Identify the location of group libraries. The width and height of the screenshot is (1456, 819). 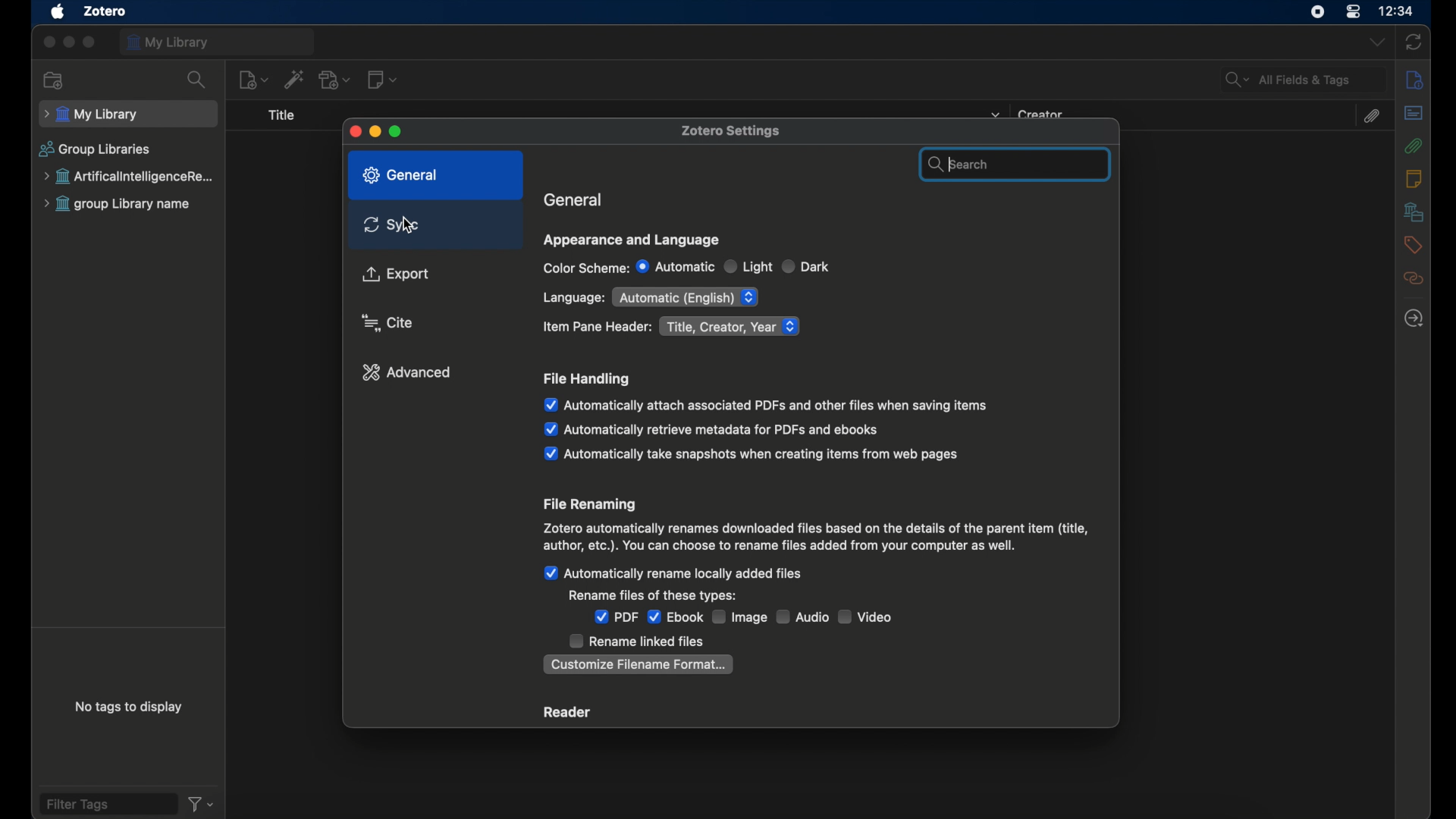
(95, 149).